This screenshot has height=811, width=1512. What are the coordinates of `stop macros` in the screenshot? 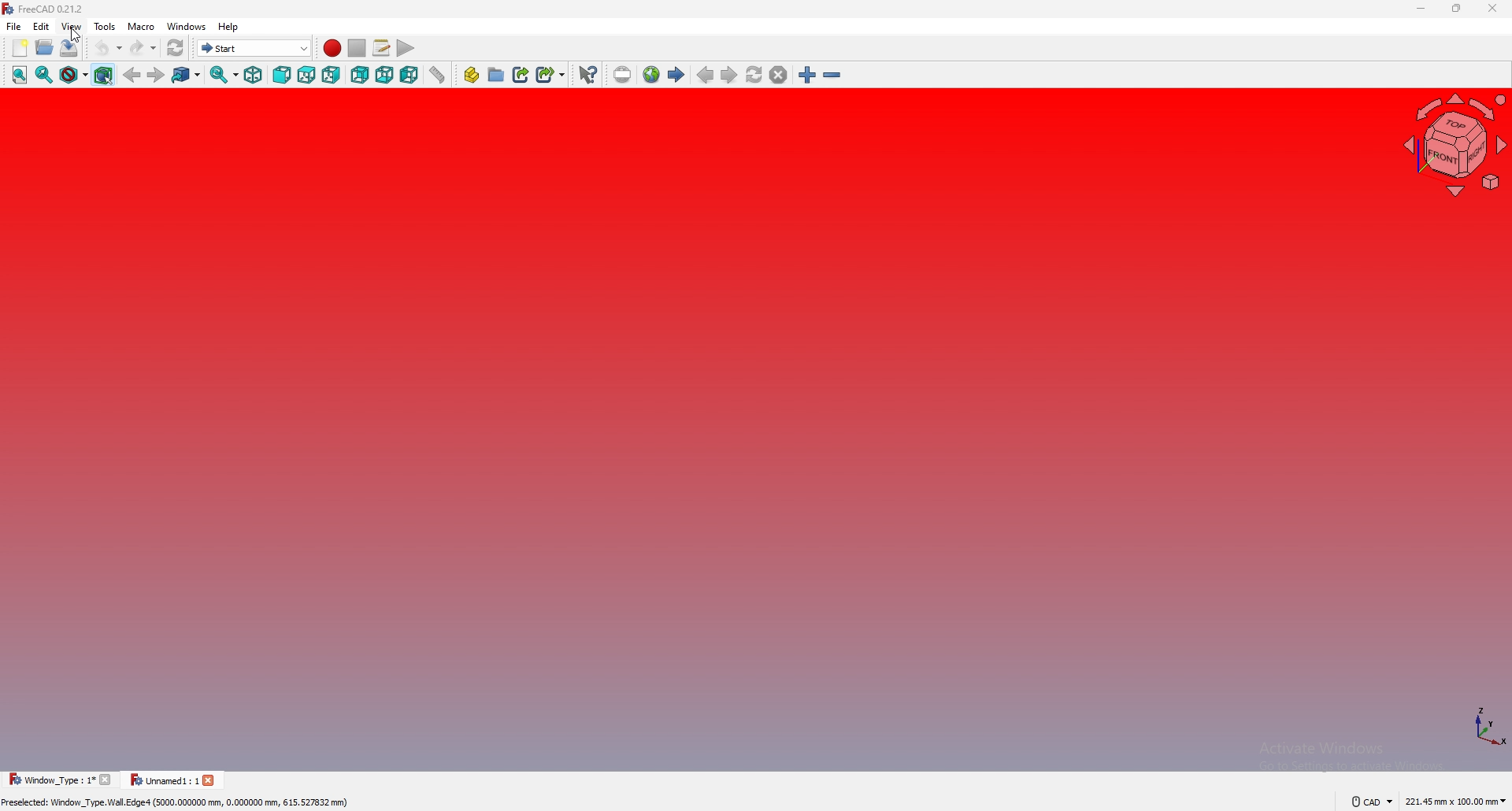 It's located at (358, 48).